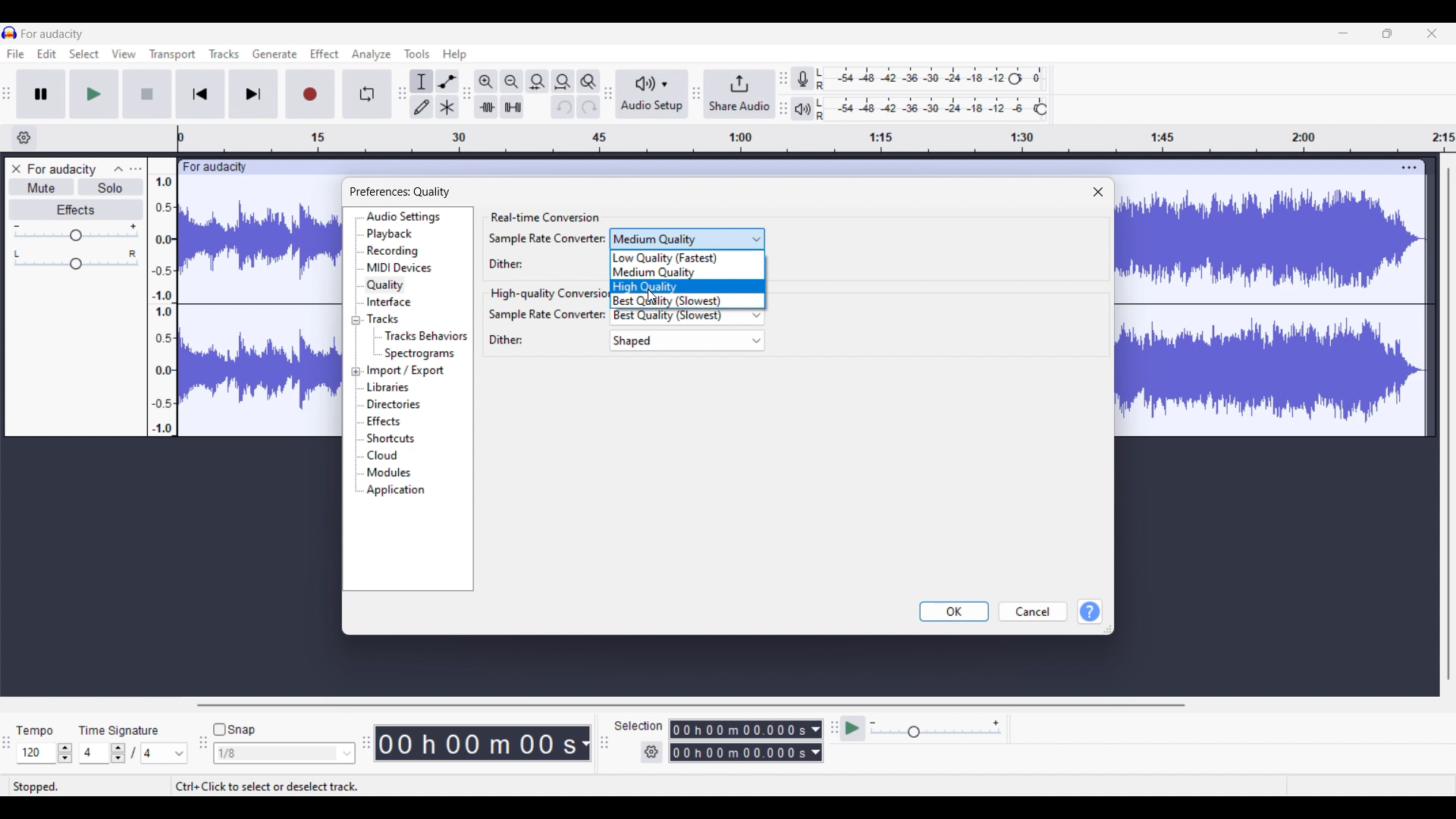 The image size is (1456, 819). Describe the element at coordinates (94, 753) in the screenshot. I see `Input time signature` at that location.